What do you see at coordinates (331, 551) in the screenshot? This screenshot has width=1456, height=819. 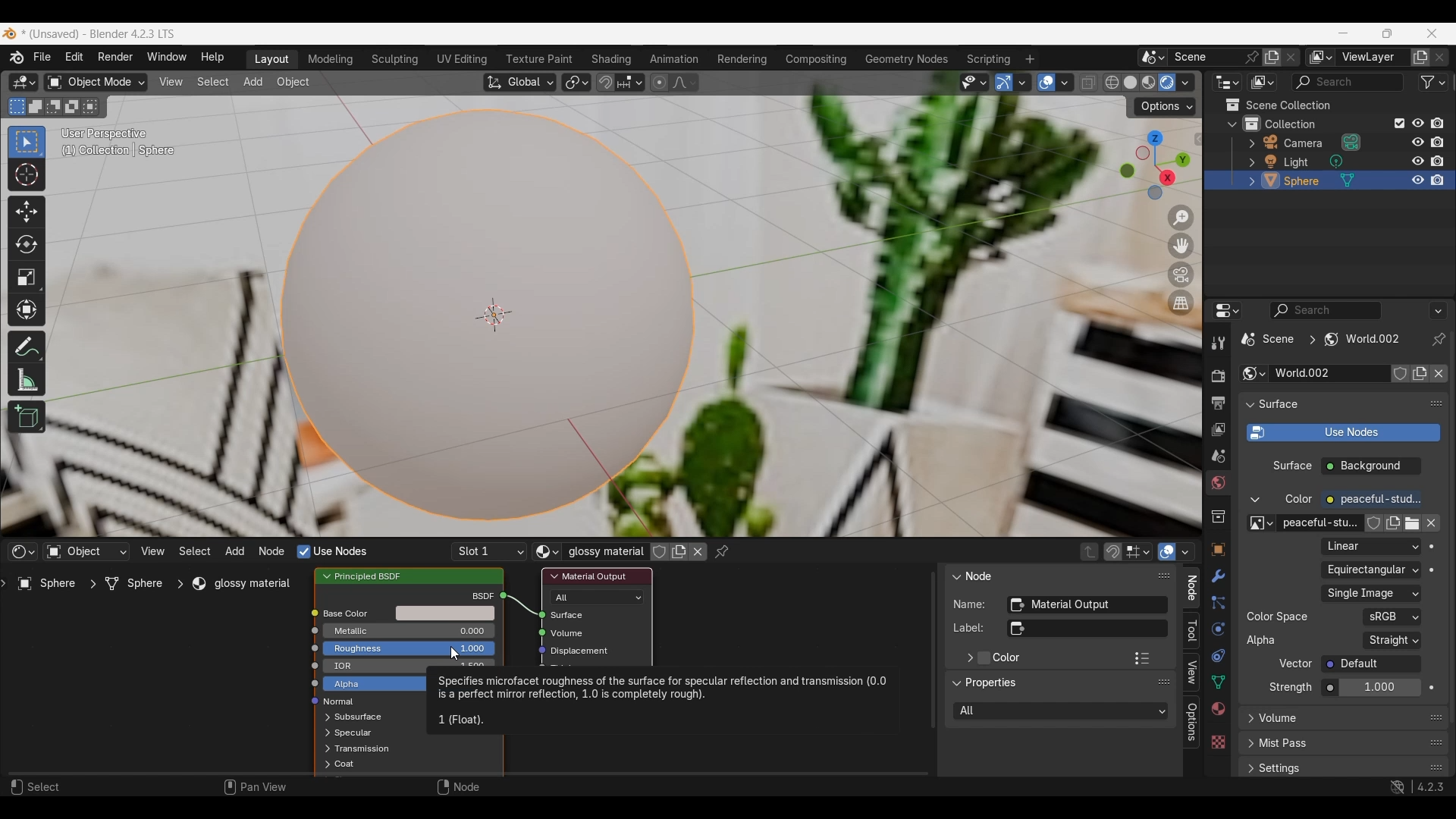 I see `Nodes to render material` at bounding box center [331, 551].